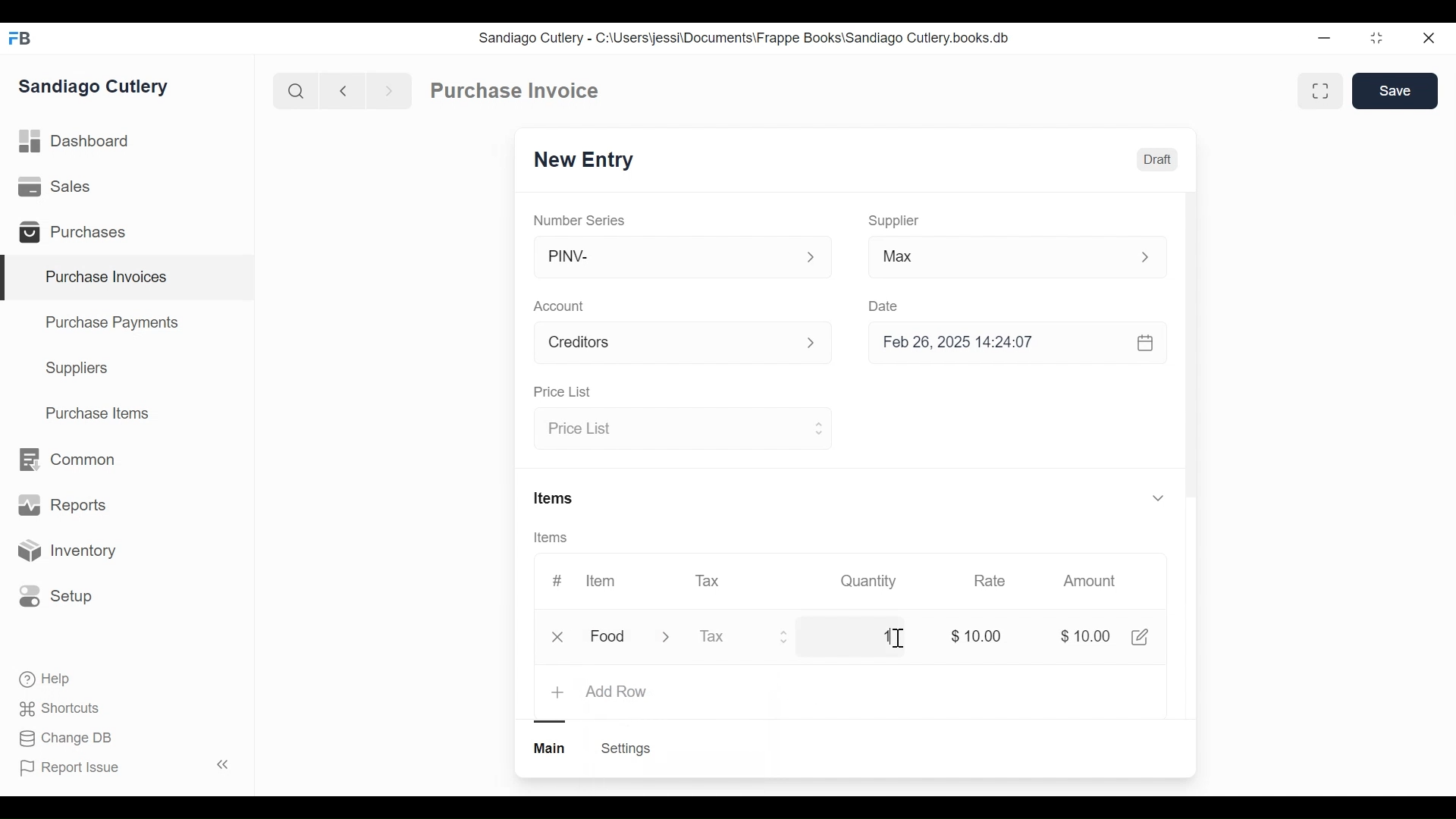 This screenshot has width=1456, height=819. Describe the element at coordinates (124, 767) in the screenshot. I see `Report Issue` at that location.